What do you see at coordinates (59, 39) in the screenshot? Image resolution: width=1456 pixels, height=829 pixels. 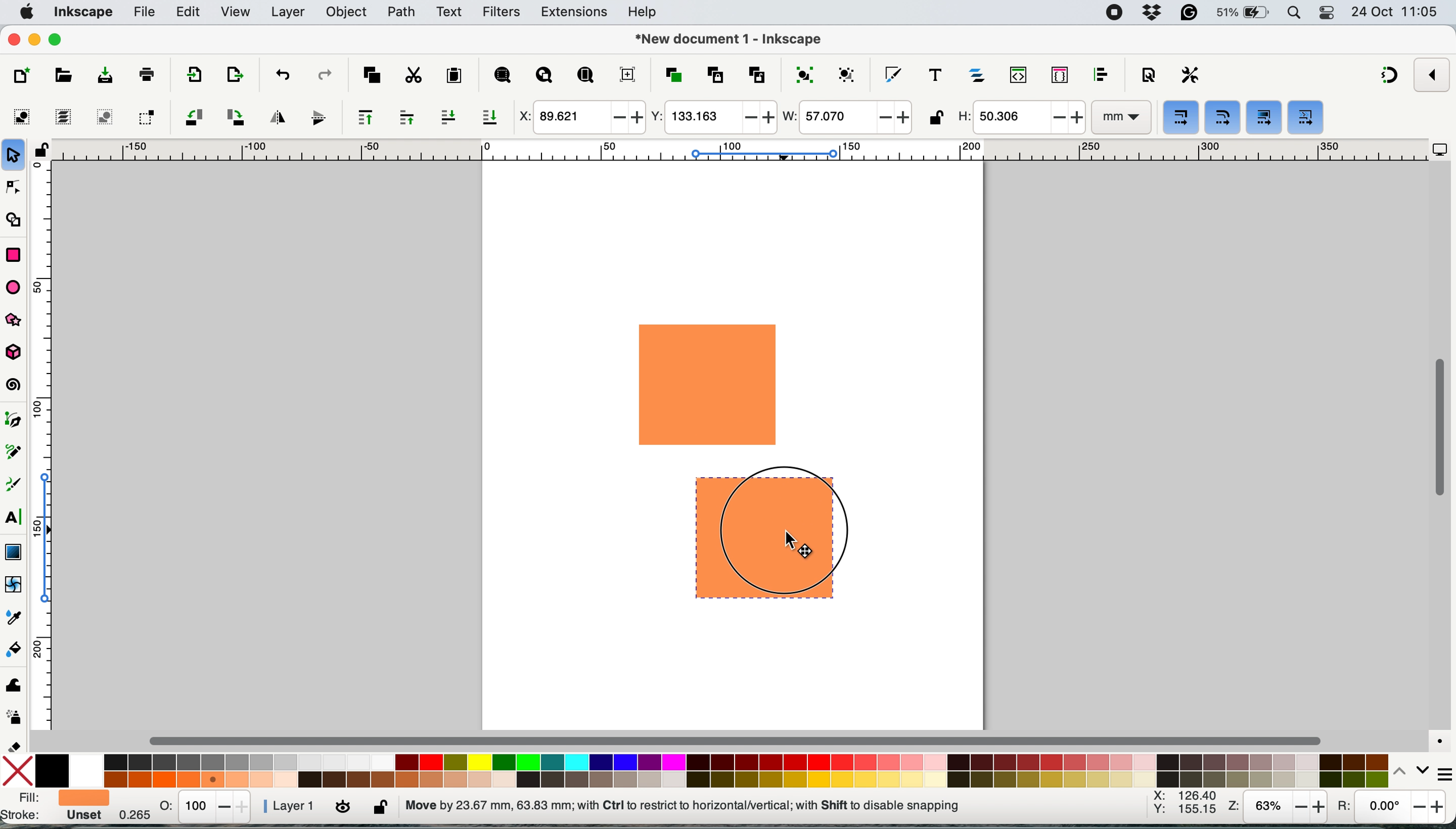 I see `maximise` at bounding box center [59, 39].